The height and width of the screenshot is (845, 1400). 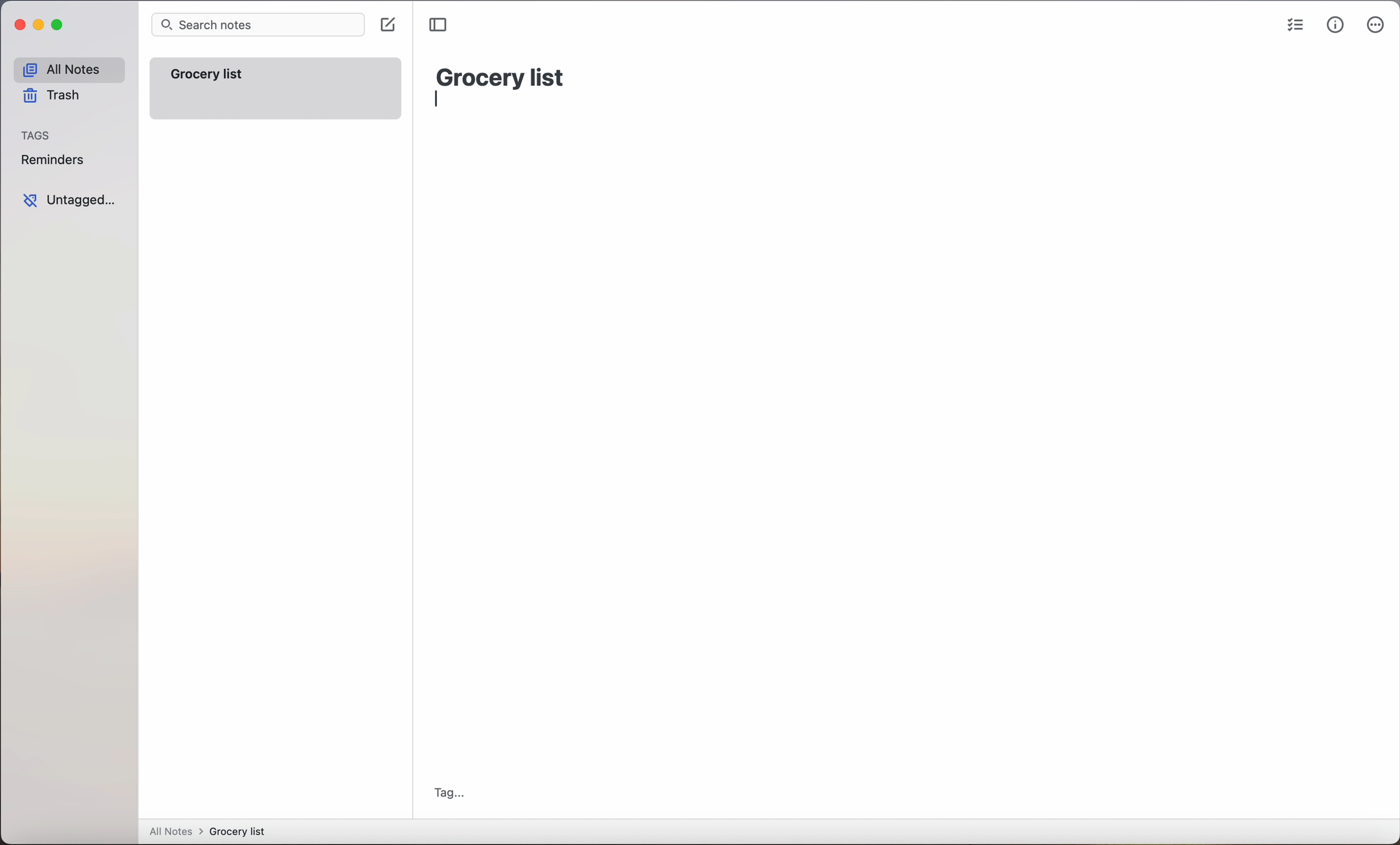 What do you see at coordinates (1335, 26) in the screenshot?
I see `metrics` at bounding box center [1335, 26].